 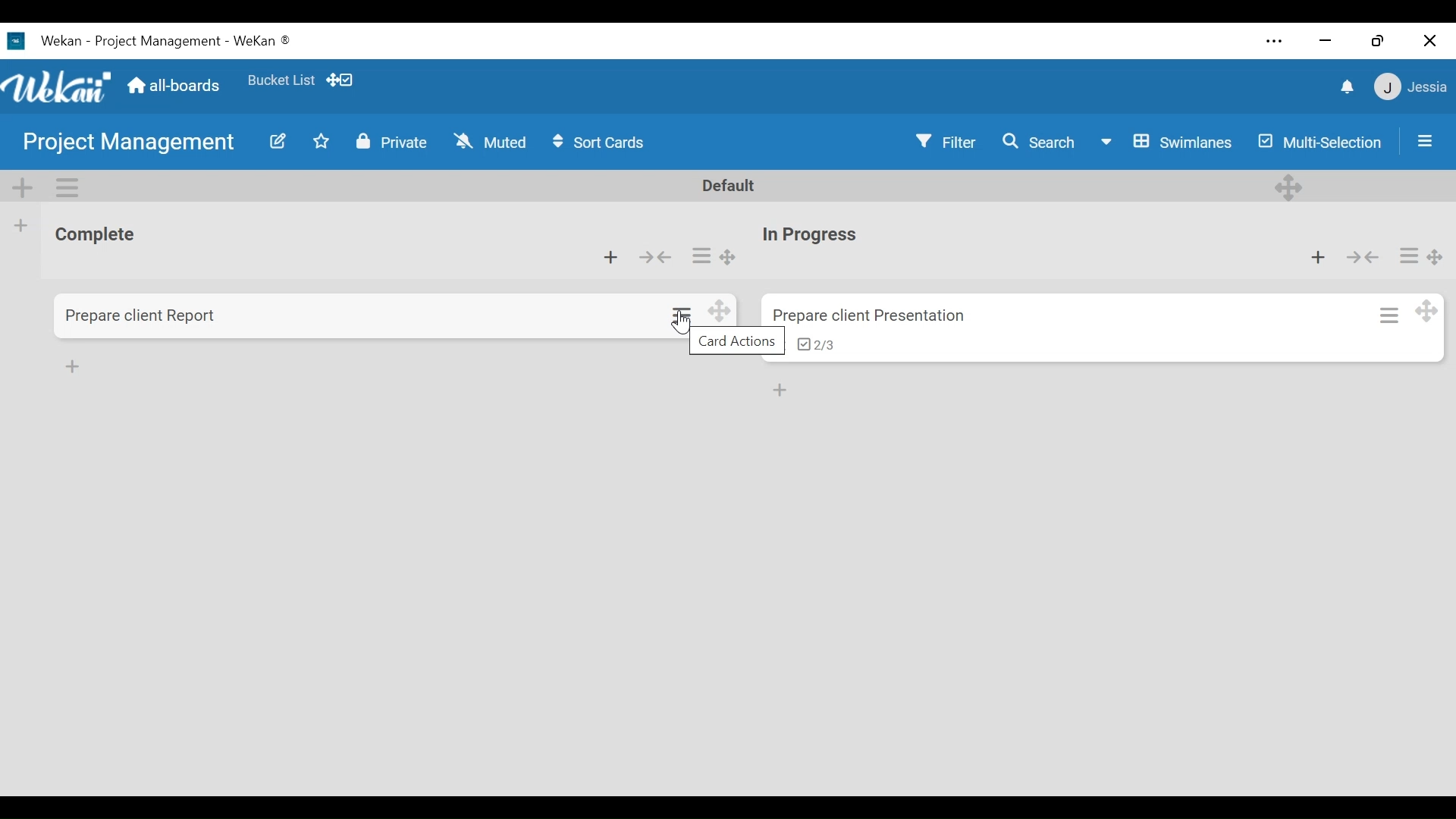 I want to click on Card Title, so click(x=876, y=315).